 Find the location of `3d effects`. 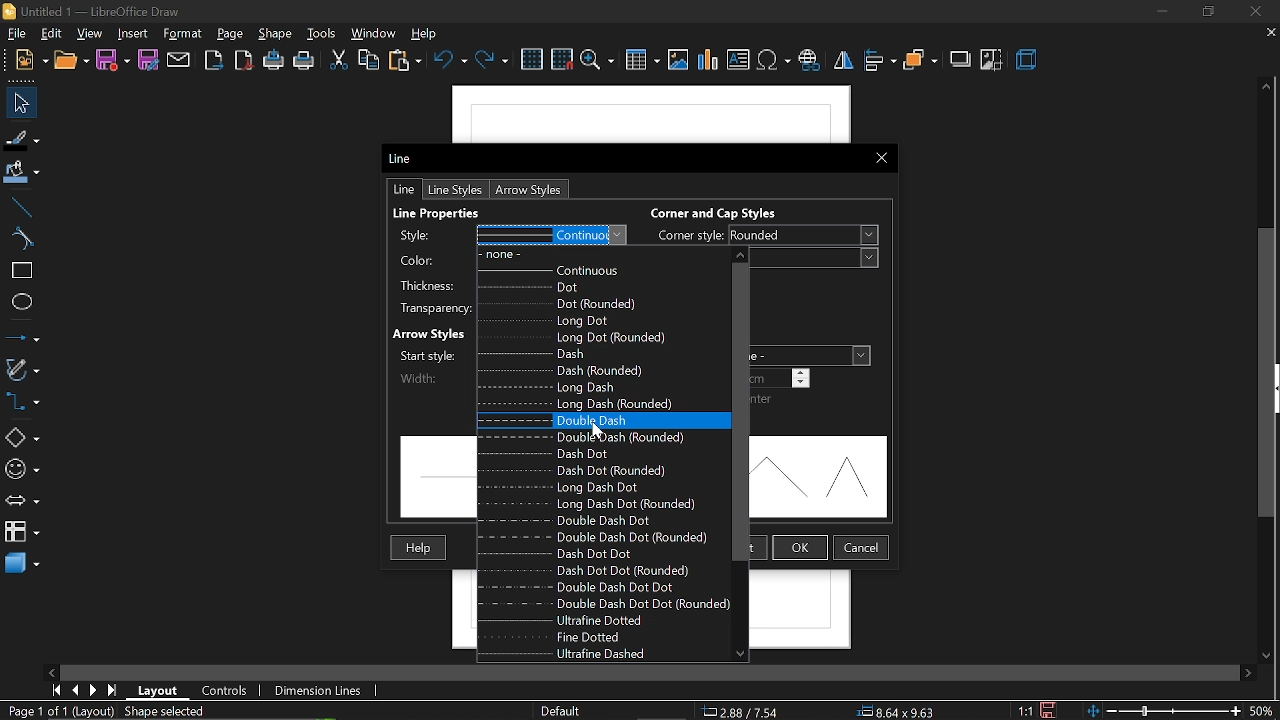

3d effects is located at coordinates (1026, 58).